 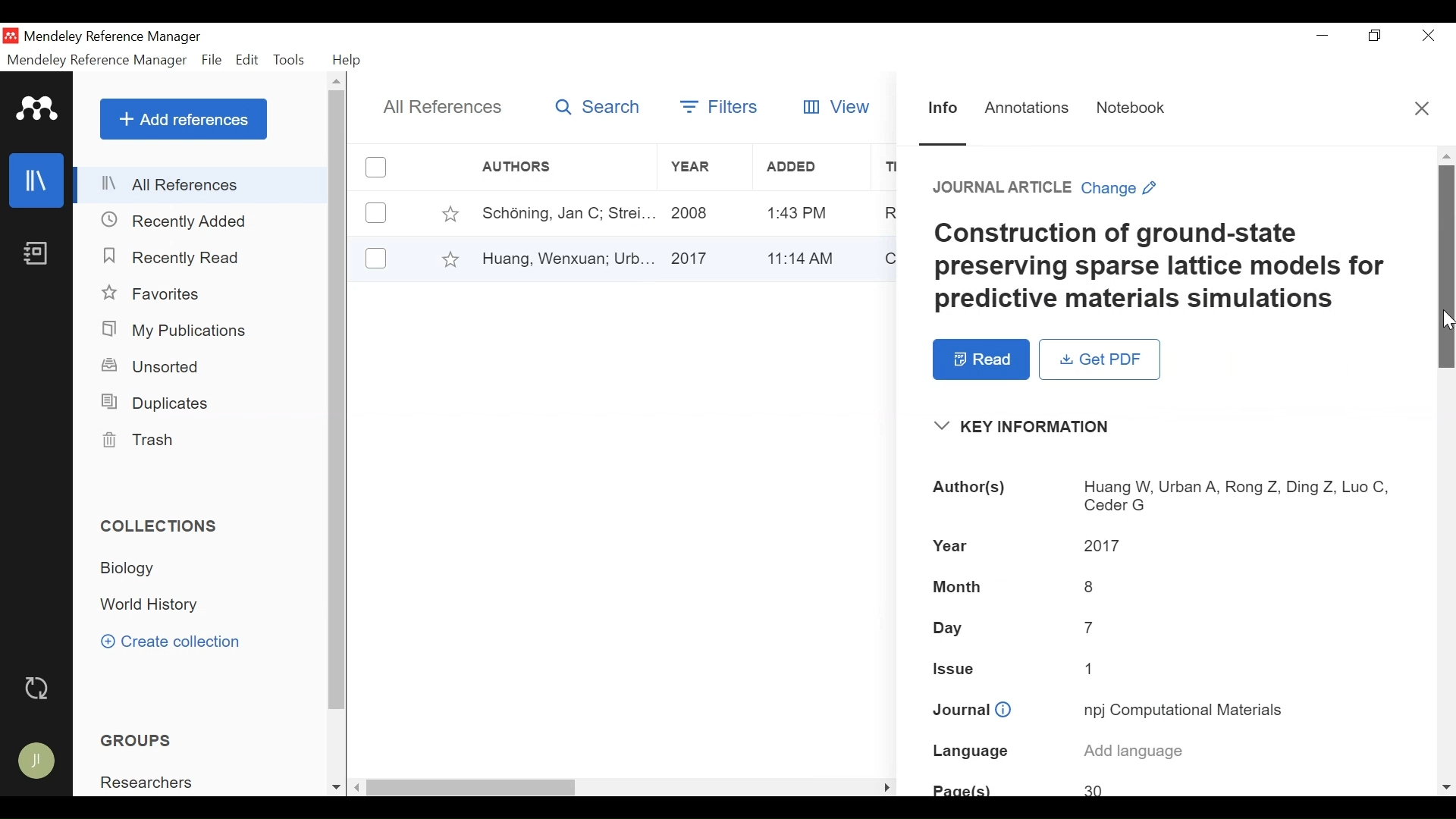 I want to click on Year, so click(x=700, y=167).